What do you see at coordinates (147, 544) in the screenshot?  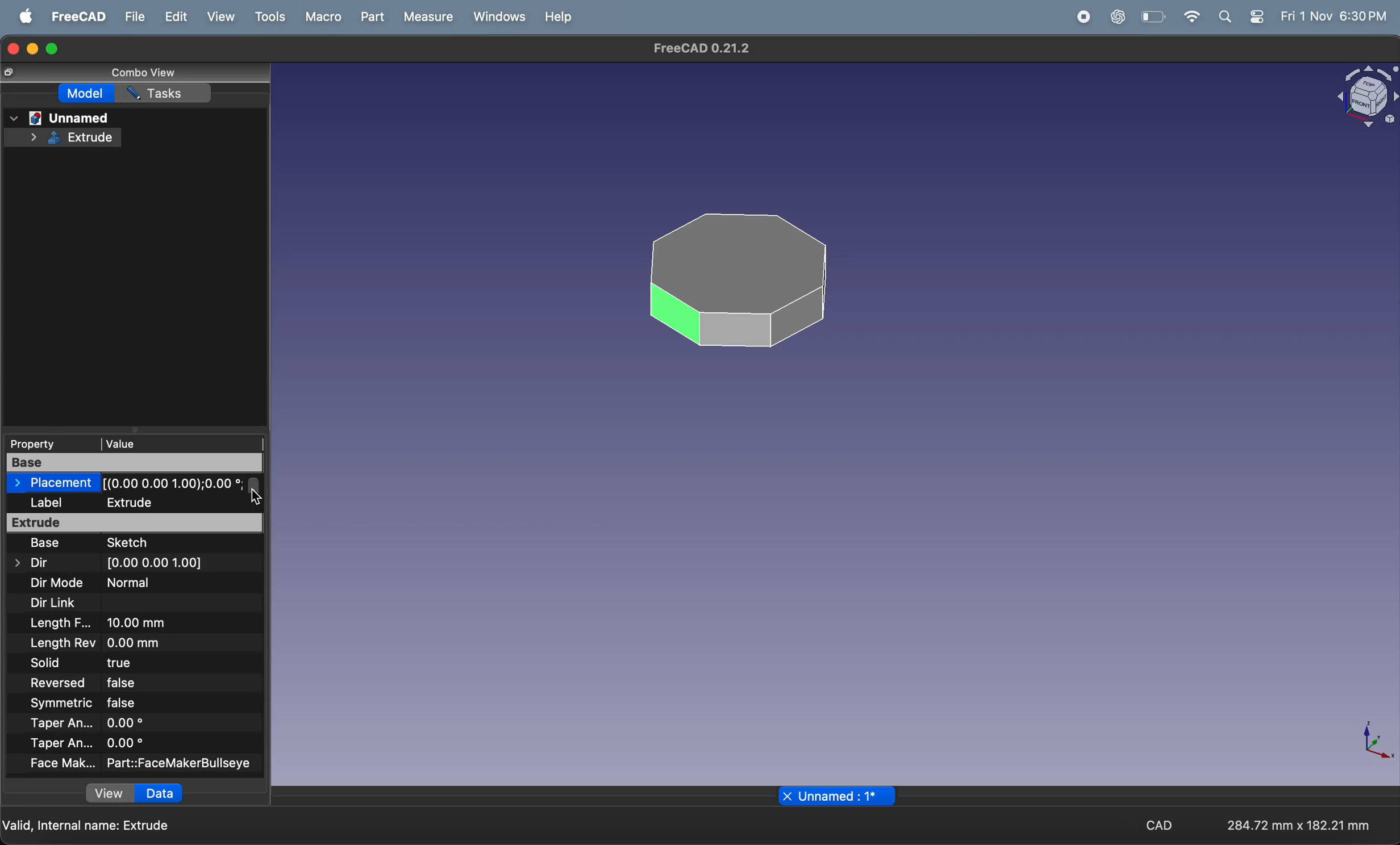 I see `sketch` at bounding box center [147, 544].